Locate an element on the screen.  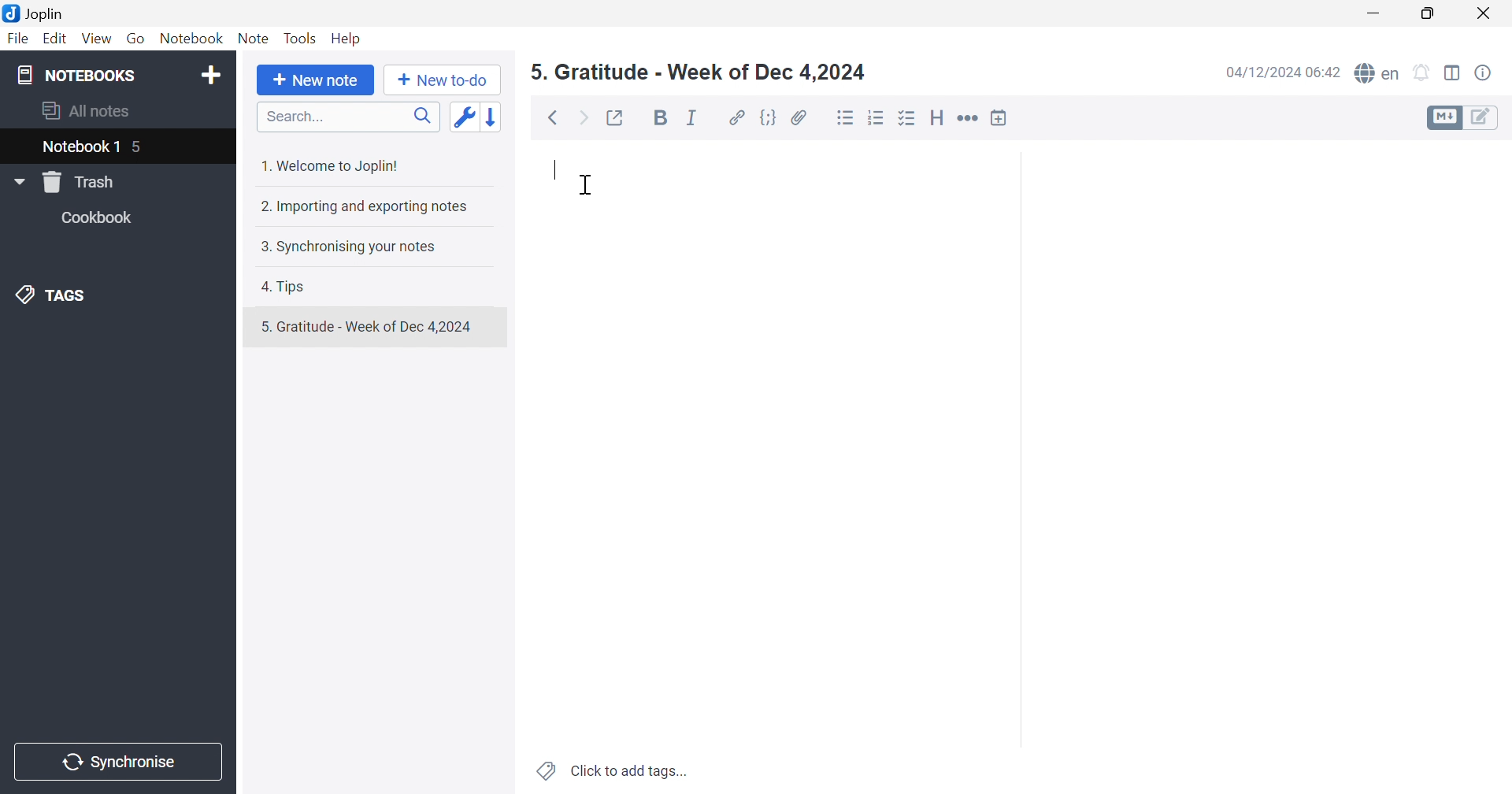
Checkbox is located at coordinates (908, 119).